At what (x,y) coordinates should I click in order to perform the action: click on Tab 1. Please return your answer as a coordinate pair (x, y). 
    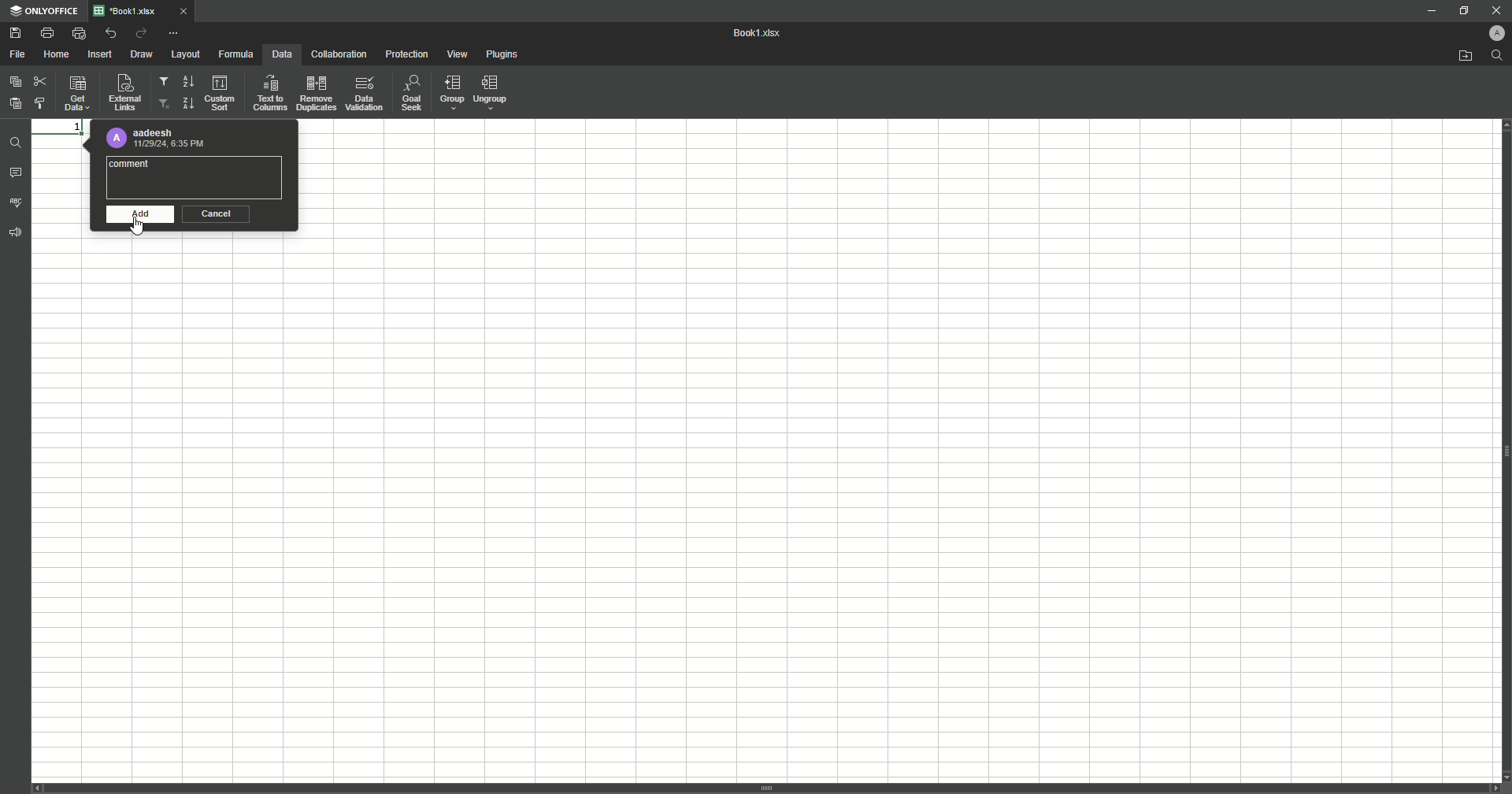
    Looking at the image, I should click on (149, 11).